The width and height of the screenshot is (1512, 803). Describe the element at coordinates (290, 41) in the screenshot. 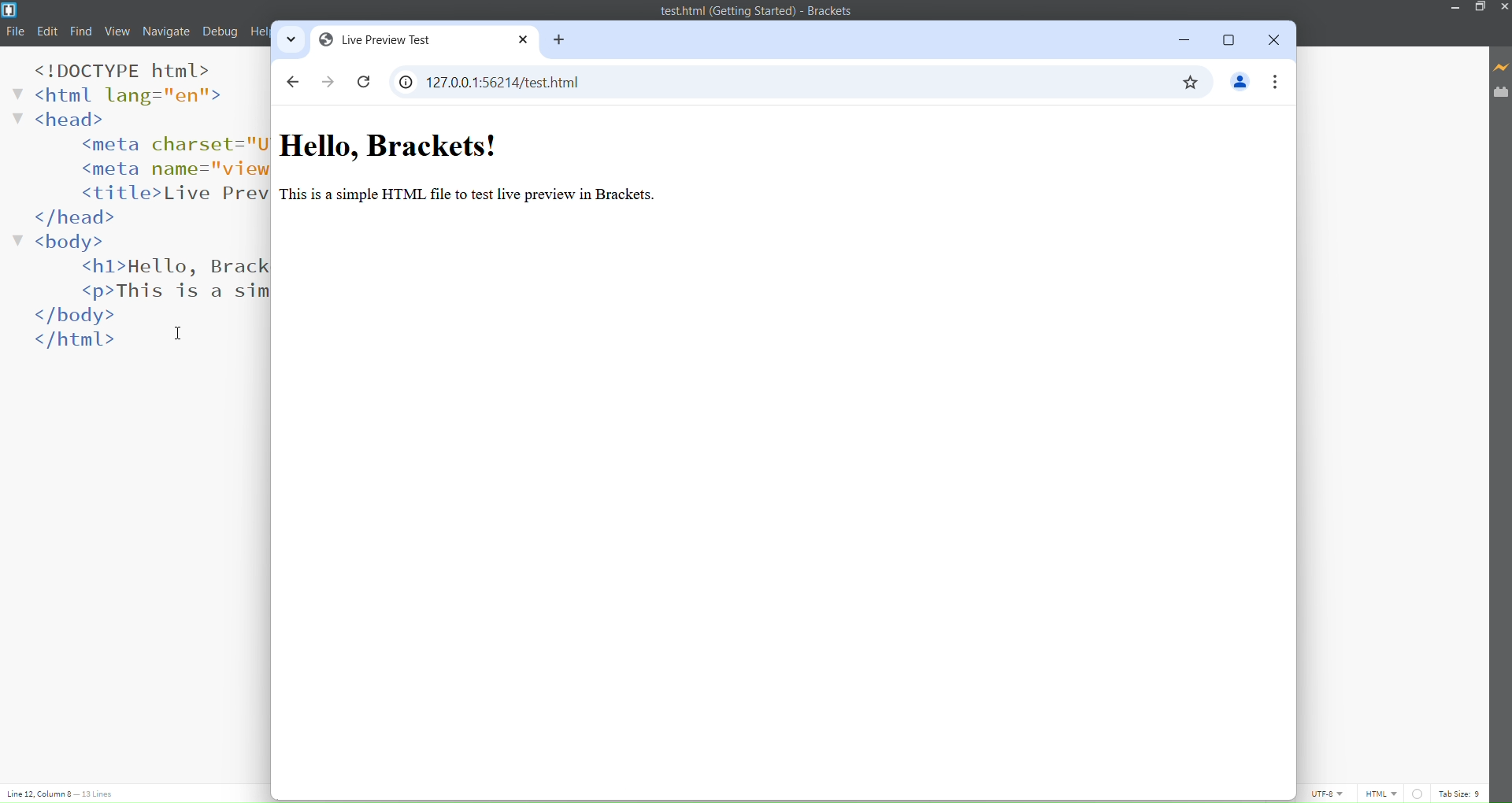

I see `Search Tabs` at that location.